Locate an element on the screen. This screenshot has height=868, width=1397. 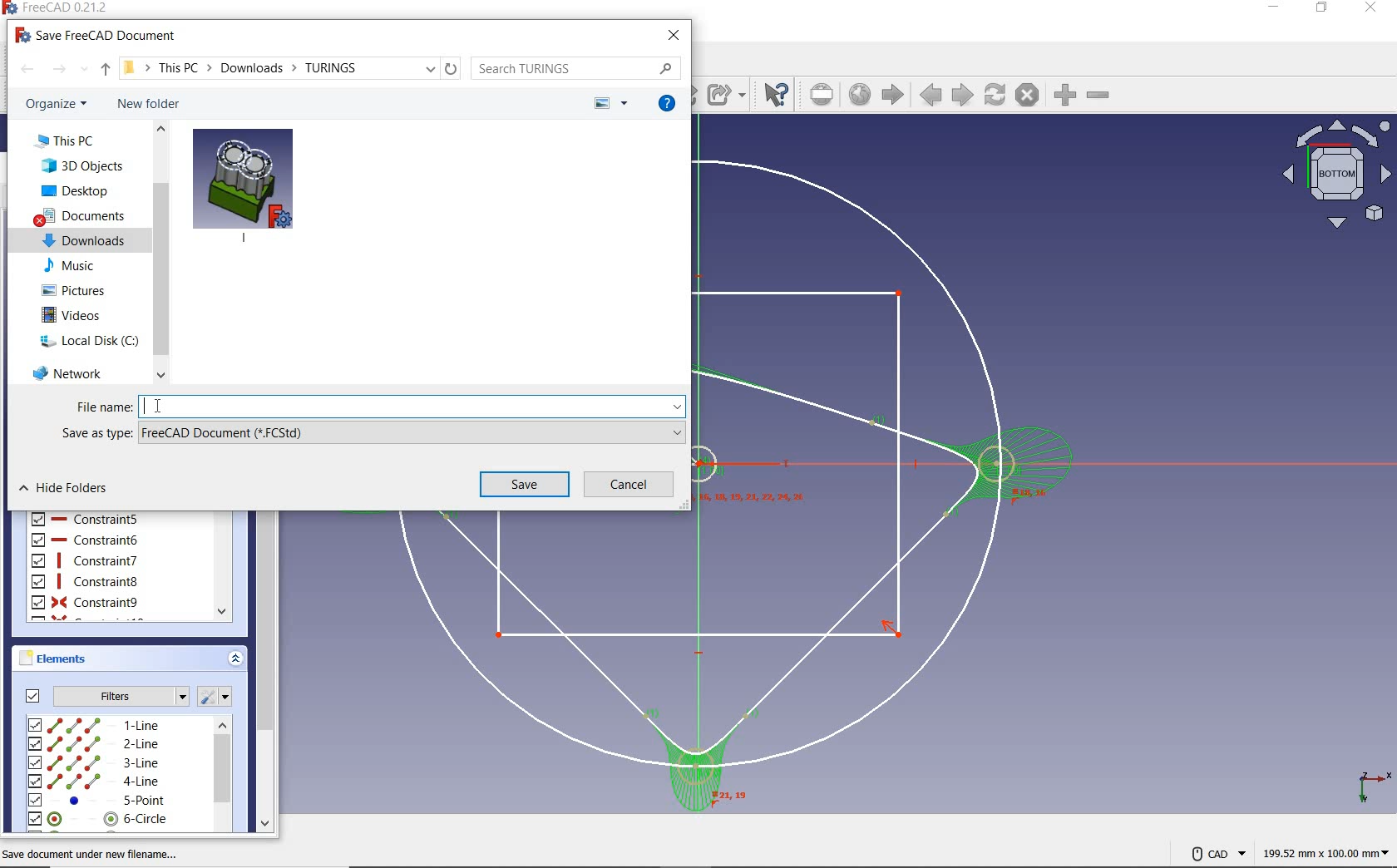
design is located at coordinates (889, 483).